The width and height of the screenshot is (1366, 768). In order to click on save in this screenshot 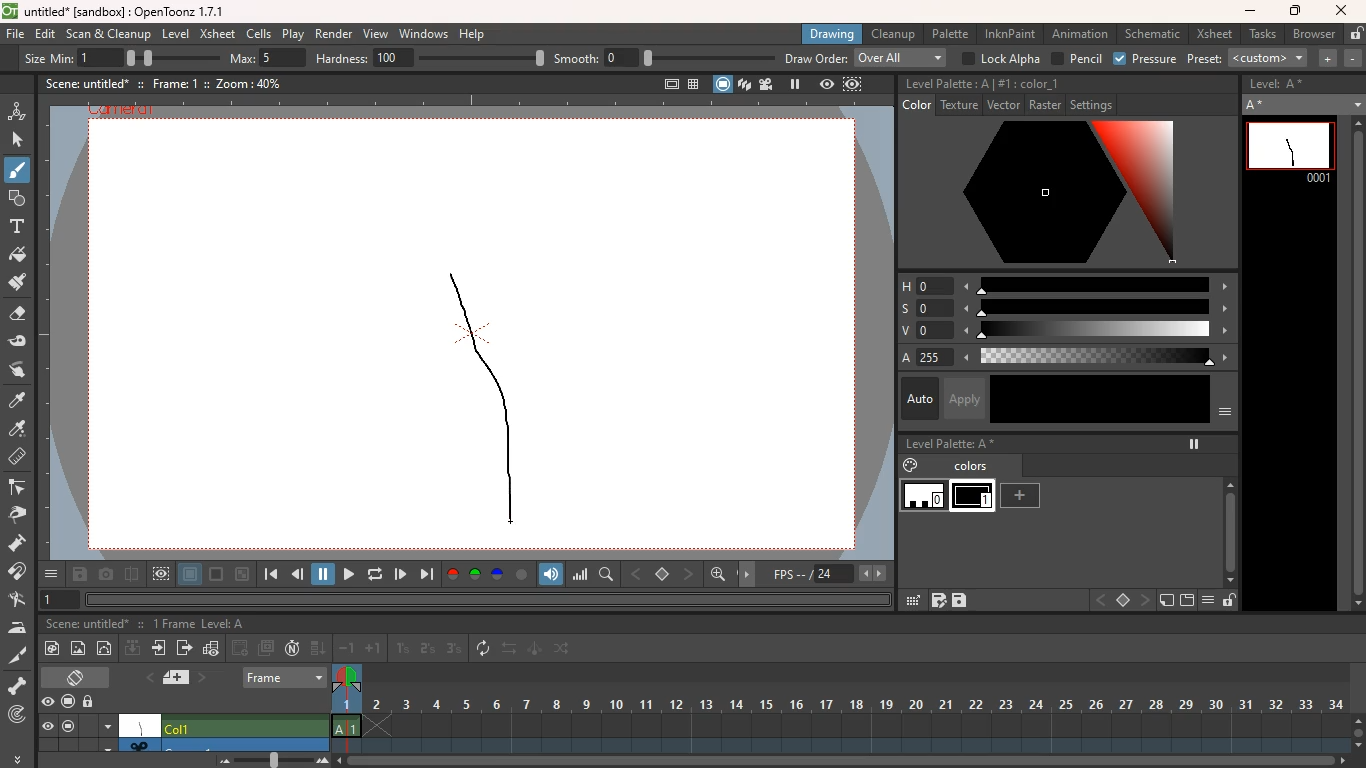, I will do `click(961, 601)`.